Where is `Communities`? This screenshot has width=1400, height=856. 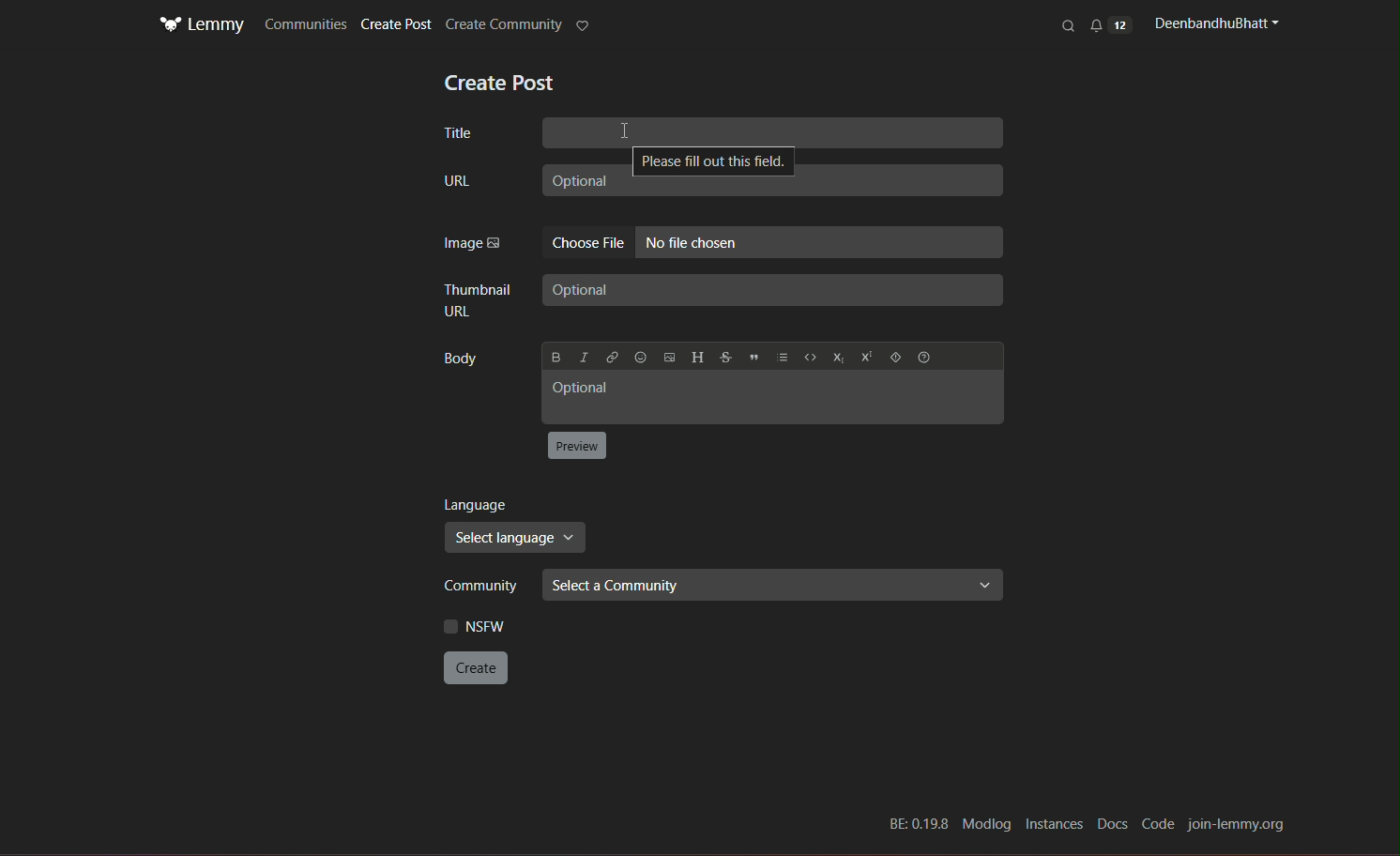
Communities is located at coordinates (306, 23).